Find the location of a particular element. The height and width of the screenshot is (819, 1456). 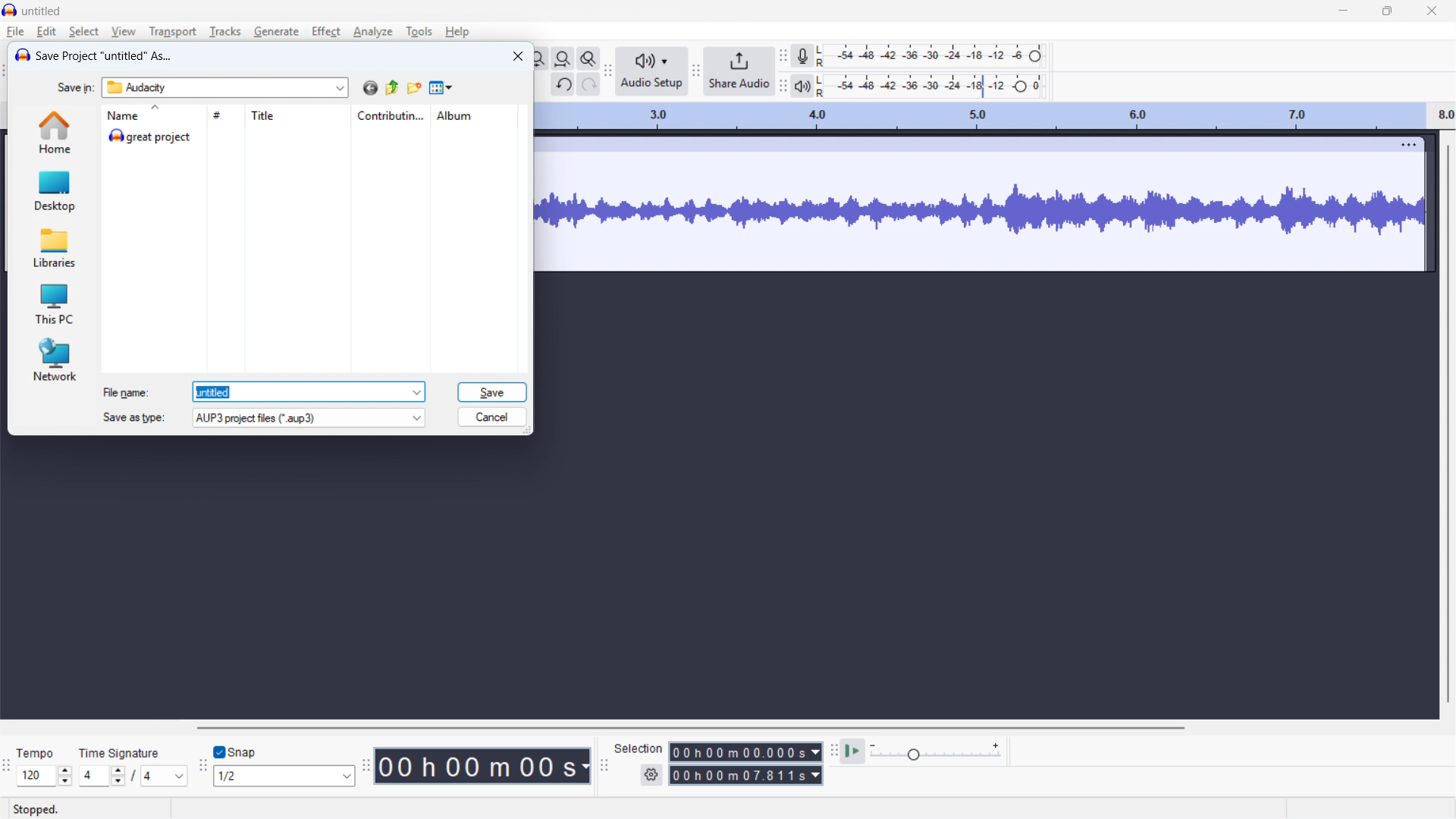

vertical scrollbar is located at coordinates (1447, 422).